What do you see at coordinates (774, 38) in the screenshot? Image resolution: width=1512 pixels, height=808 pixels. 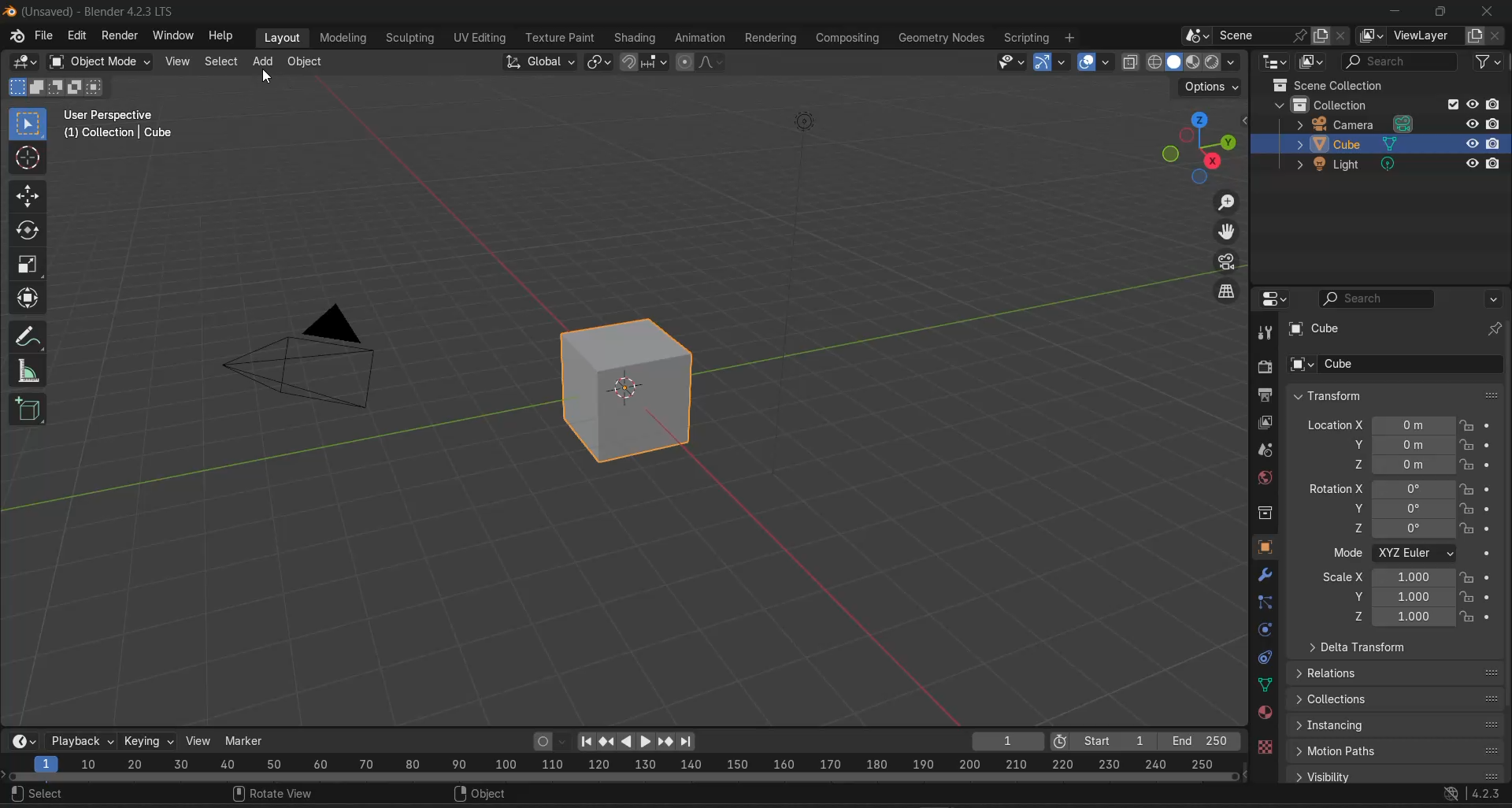 I see `rendering` at bounding box center [774, 38].